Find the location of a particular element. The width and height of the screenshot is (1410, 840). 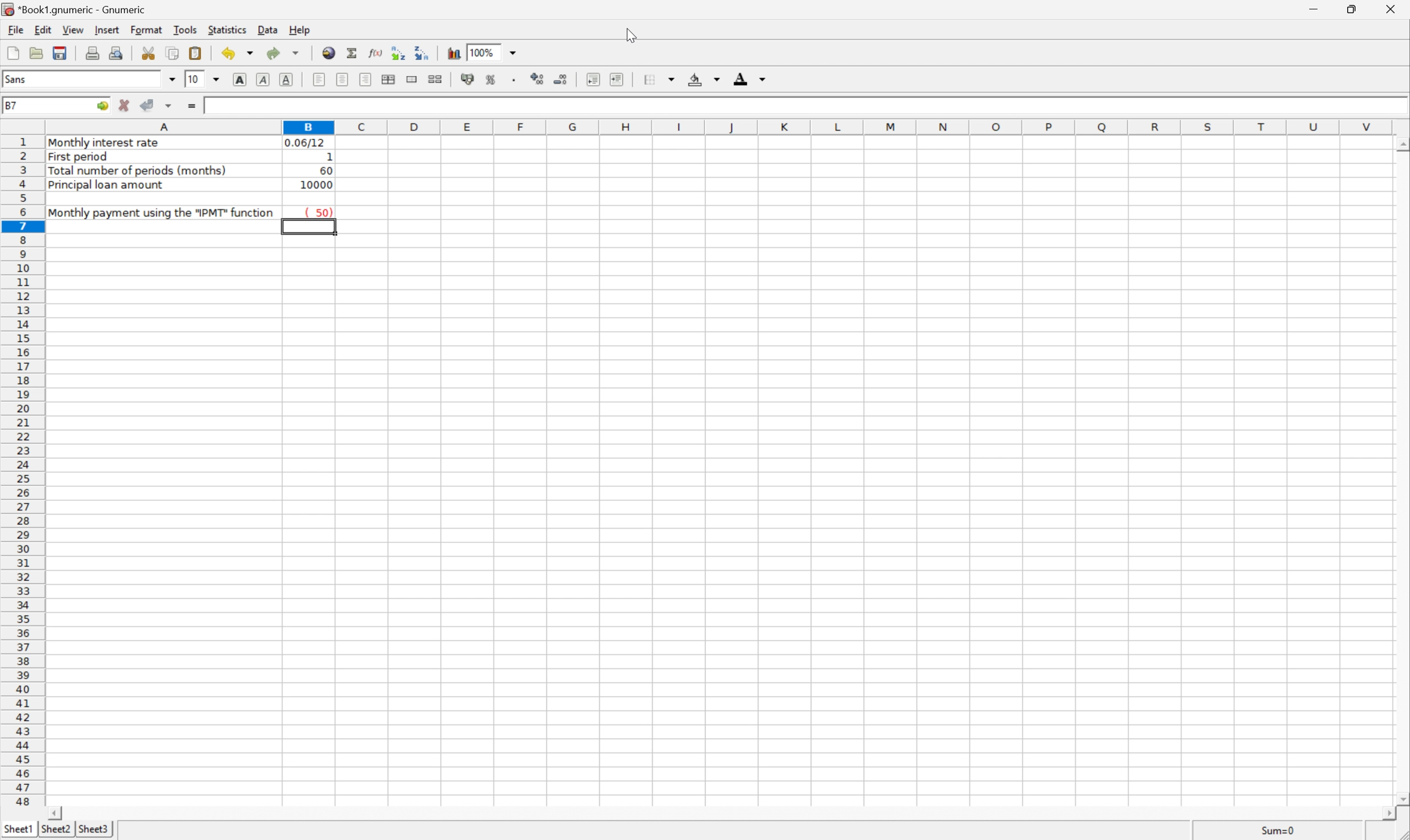

Decrease the number of decimals displayed is located at coordinates (562, 79).